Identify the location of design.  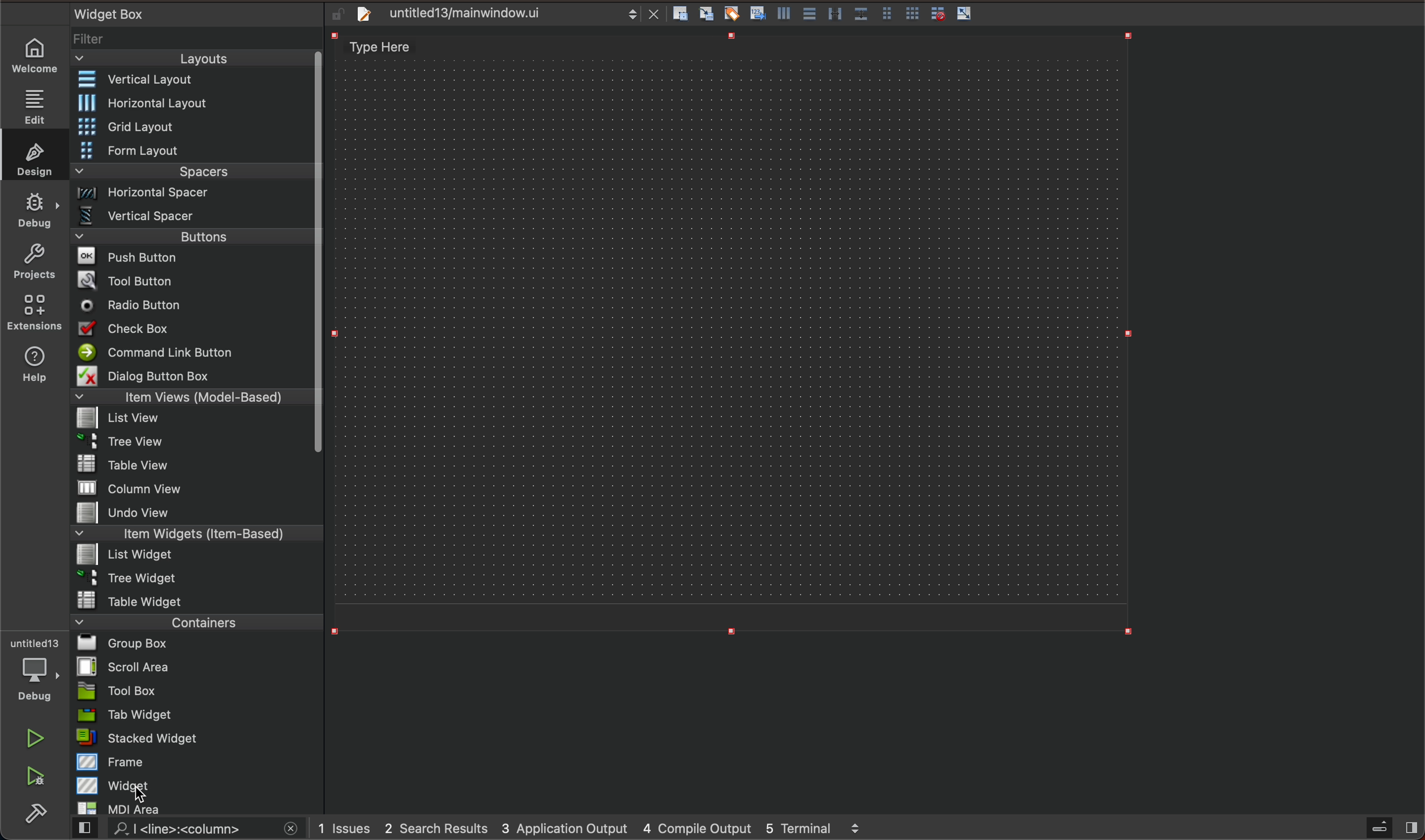
(33, 155).